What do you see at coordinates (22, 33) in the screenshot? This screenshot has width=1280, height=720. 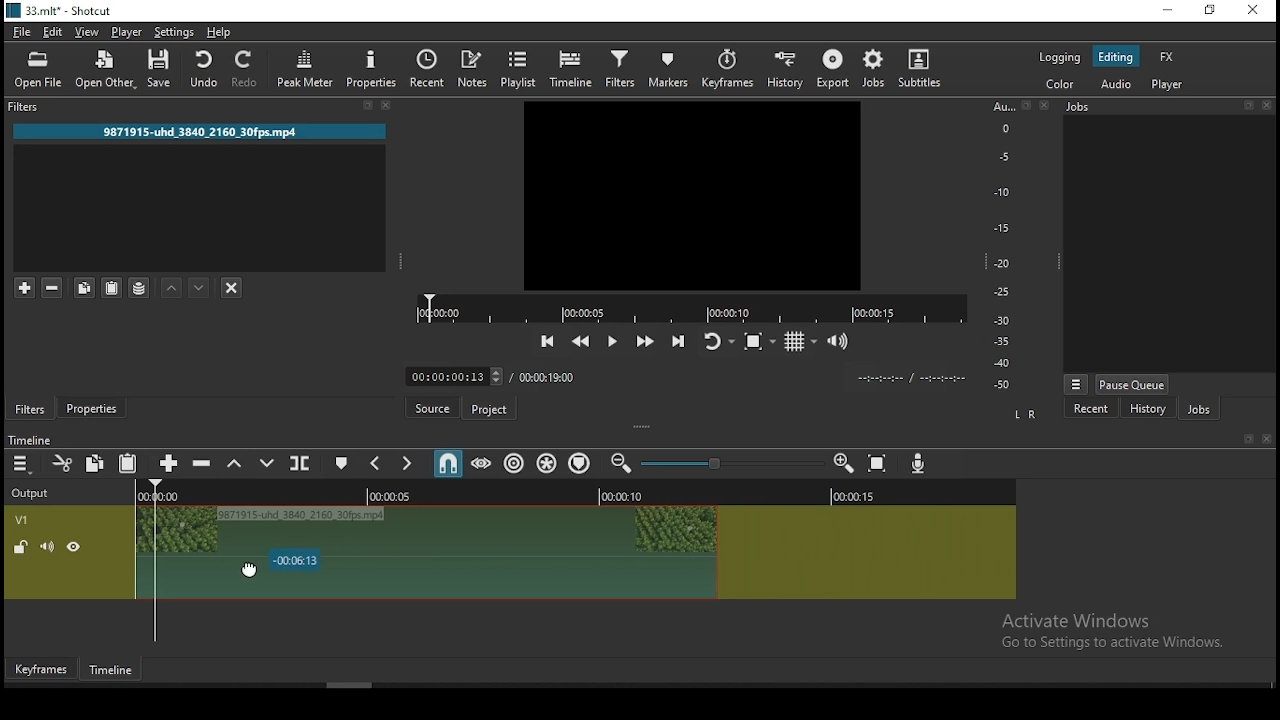 I see `file` at bounding box center [22, 33].